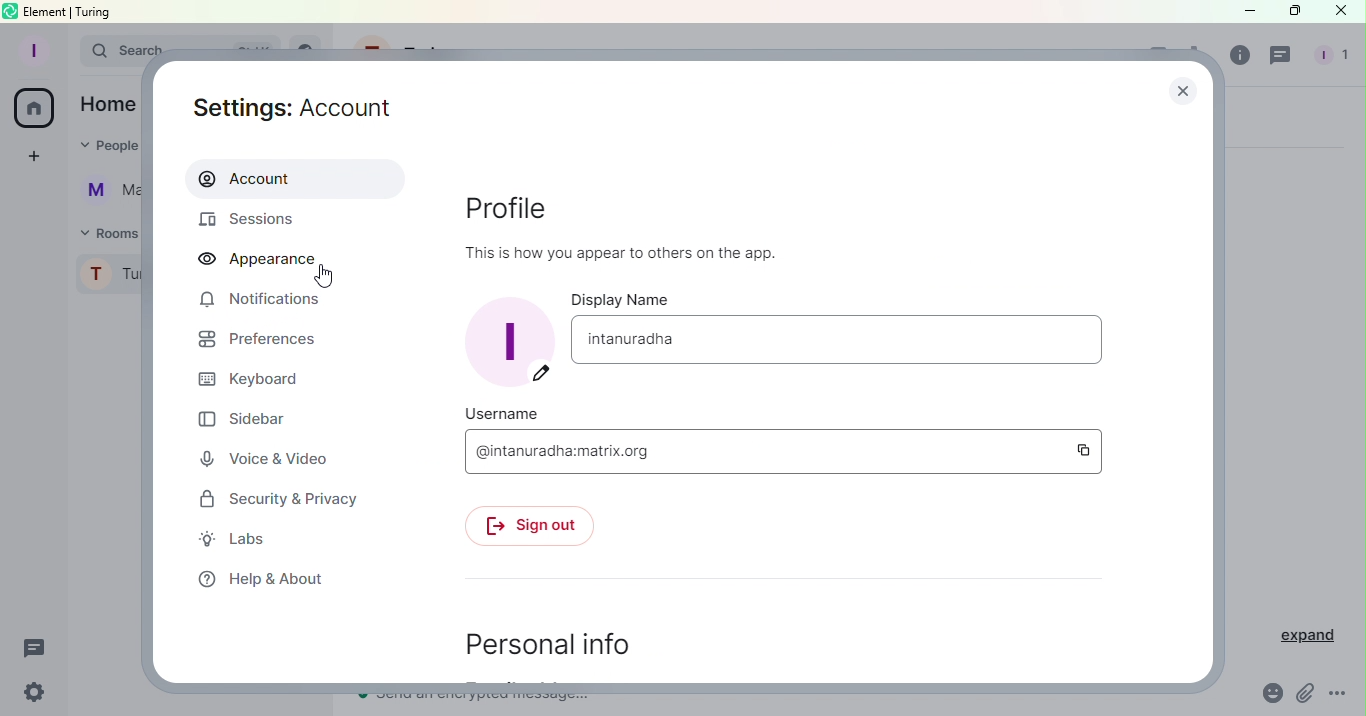 Image resolution: width=1366 pixels, height=716 pixels. Describe the element at coordinates (249, 421) in the screenshot. I see `Sidebar` at that location.